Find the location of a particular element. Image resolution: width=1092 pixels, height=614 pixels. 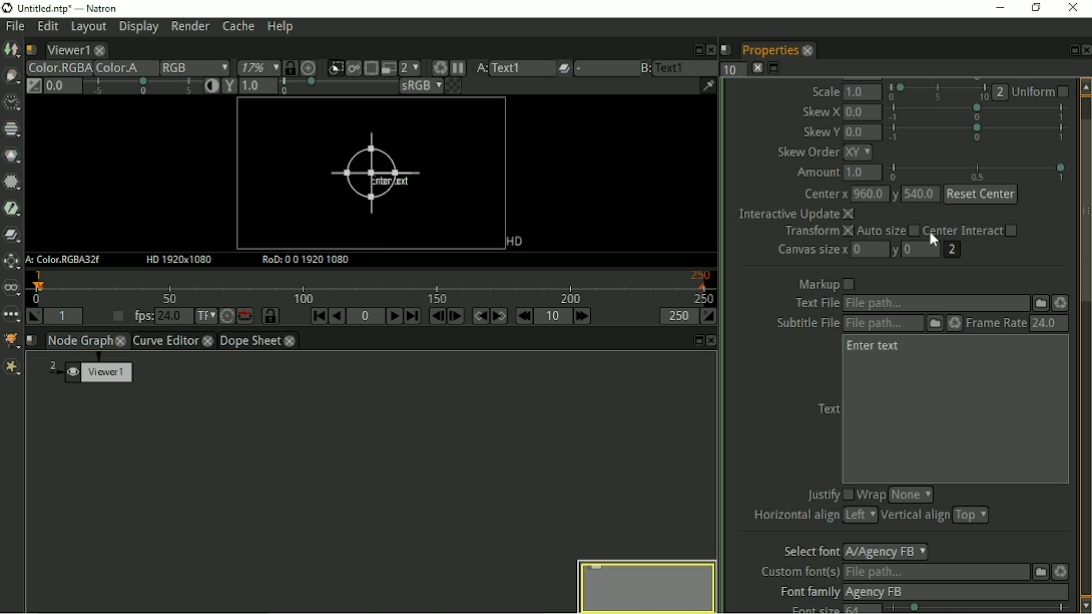

skew Order is located at coordinates (808, 153).